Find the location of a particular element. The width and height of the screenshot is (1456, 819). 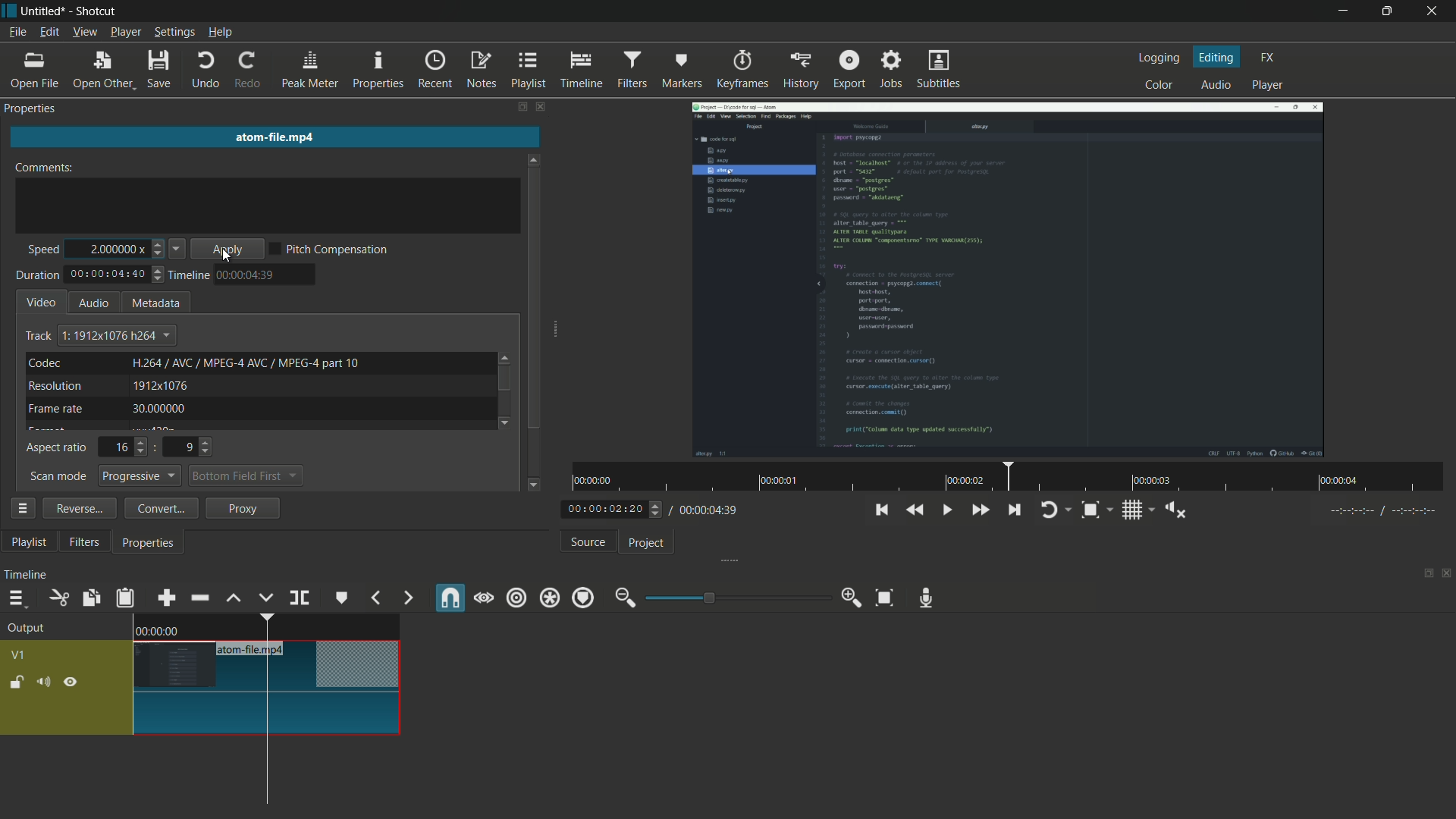

close app is located at coordinates (1436, 11).